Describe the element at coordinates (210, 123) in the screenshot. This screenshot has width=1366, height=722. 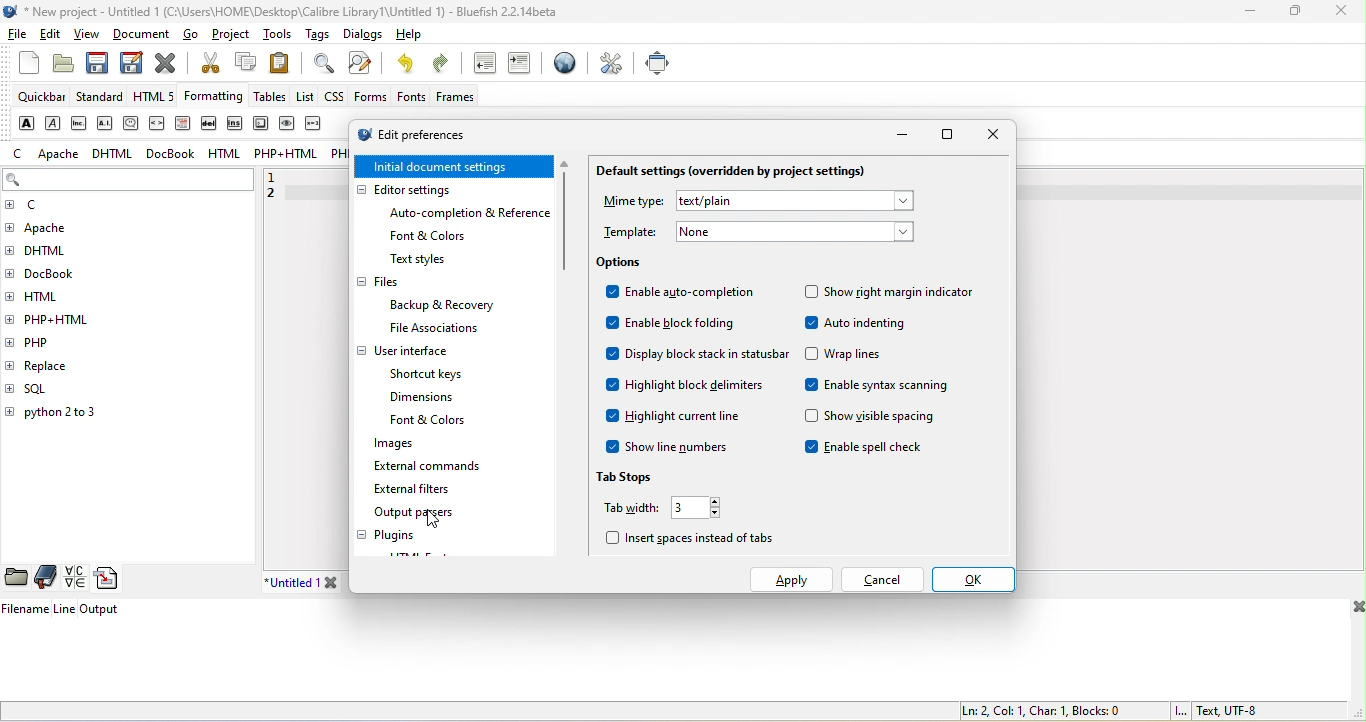
I see `delete` at that location.